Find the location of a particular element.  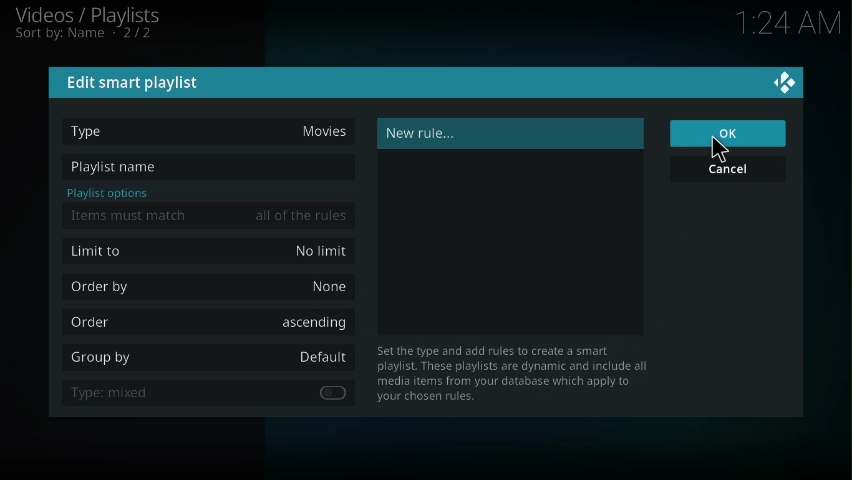

ok is located at coordinates (729, 133).